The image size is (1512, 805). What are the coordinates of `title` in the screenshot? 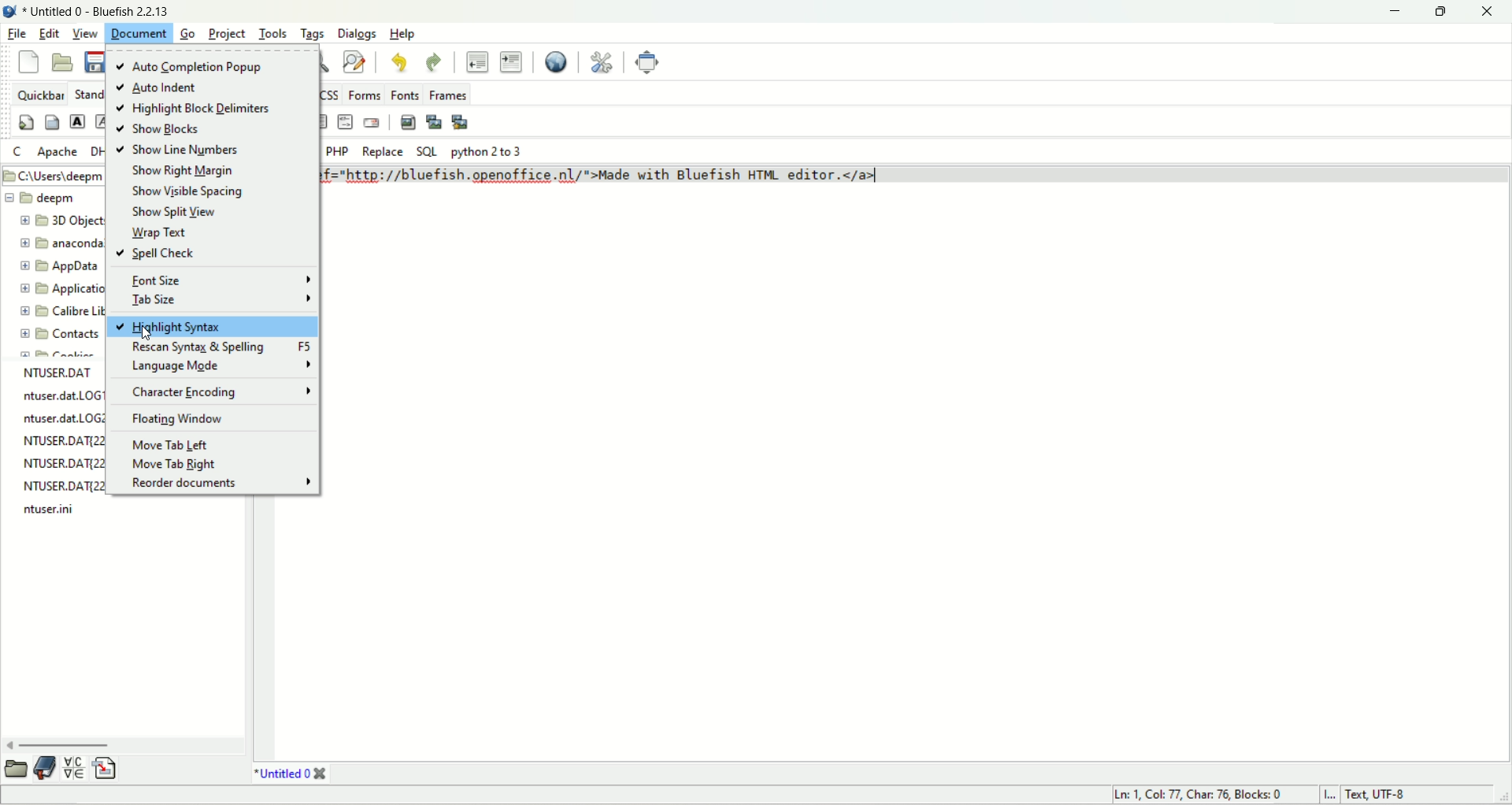 It's located at (289, 773).